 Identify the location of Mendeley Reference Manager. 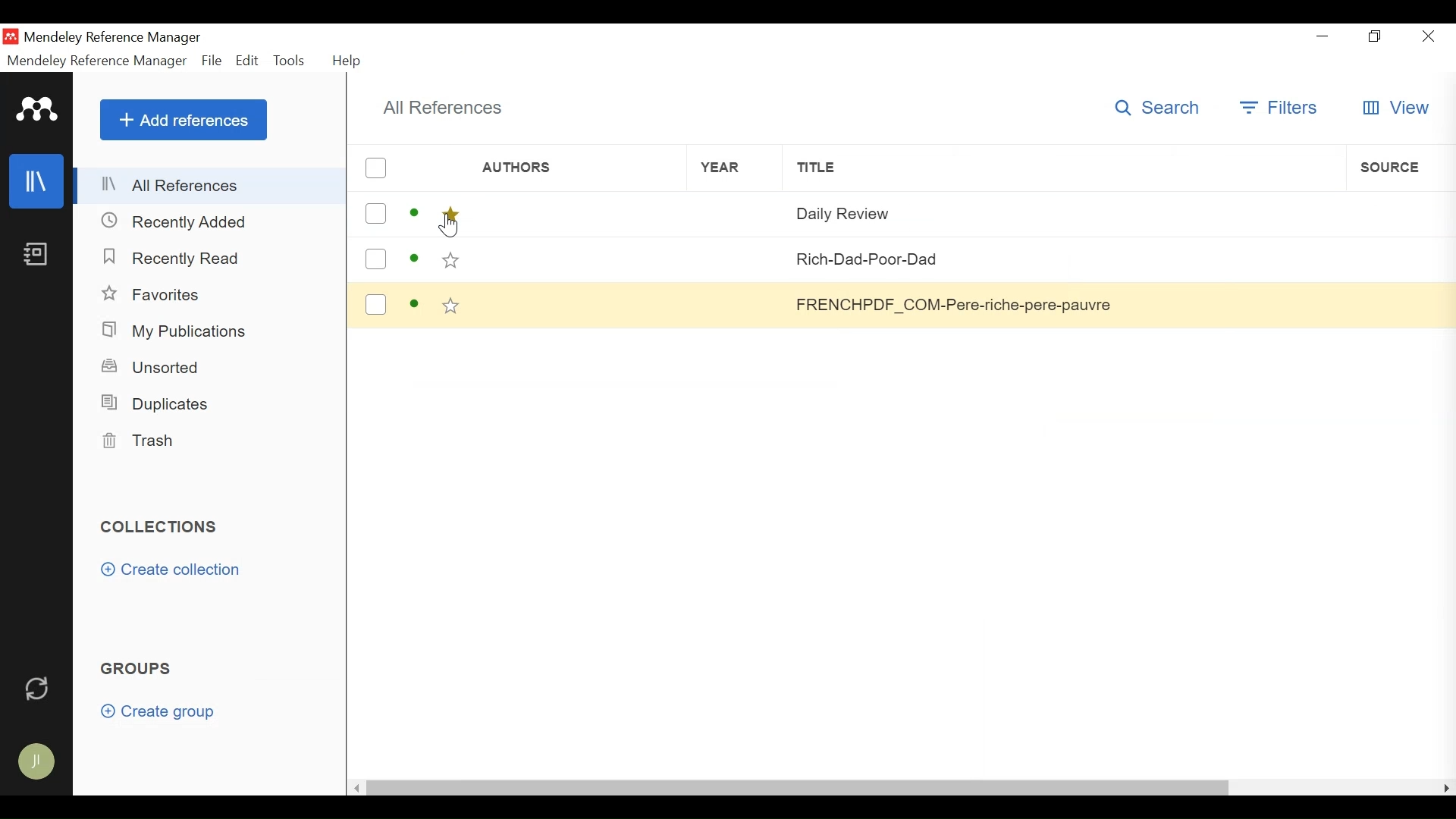
(97, 61).